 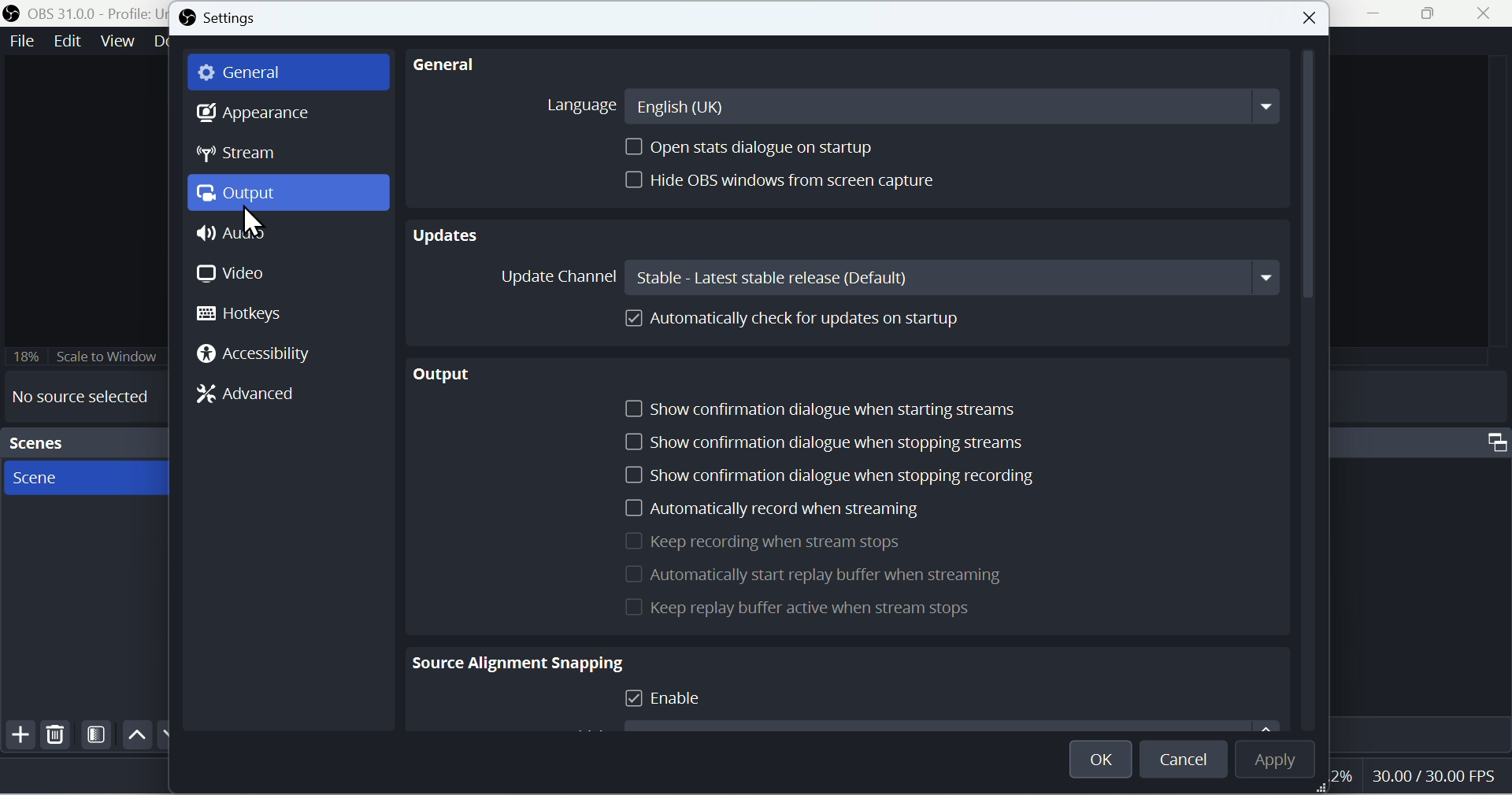 I want to click on Update Channel Stable - Latest stable release (Default), so click(x=886, y=278).